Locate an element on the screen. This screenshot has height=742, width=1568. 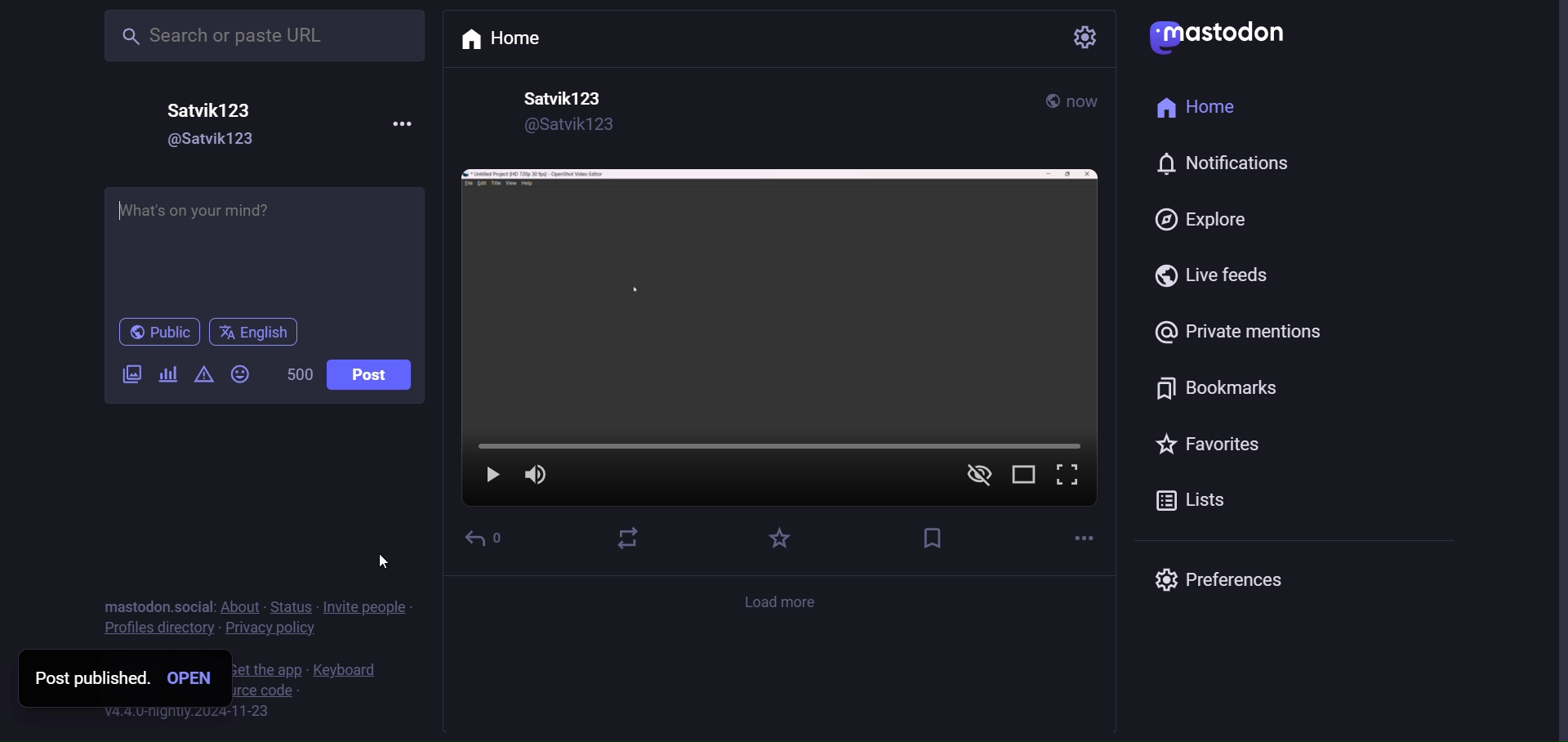
boost is located at coordinates (630, 538).